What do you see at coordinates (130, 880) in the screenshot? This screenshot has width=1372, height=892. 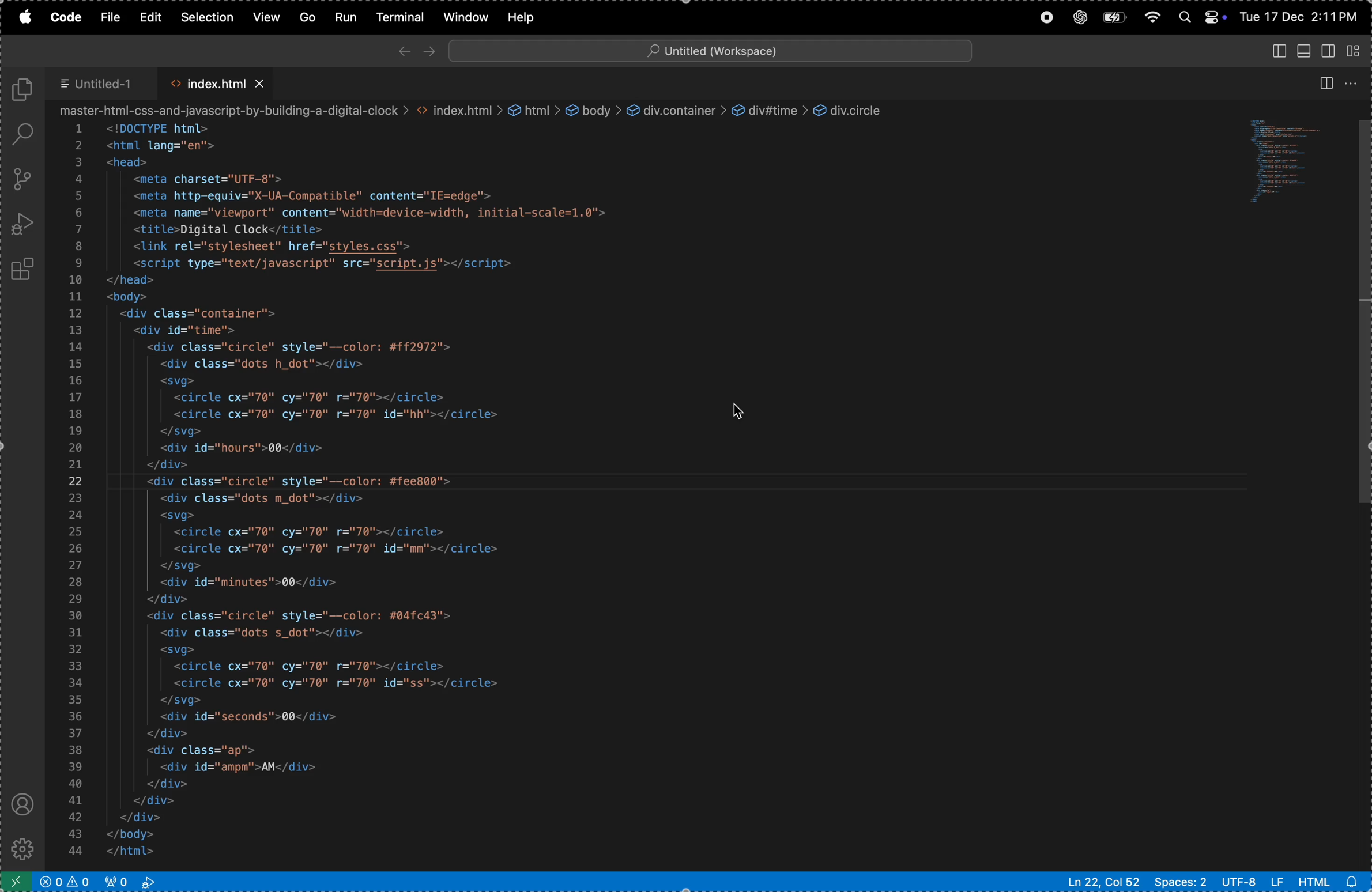 I see `view port` at bounding box center [130, 880].